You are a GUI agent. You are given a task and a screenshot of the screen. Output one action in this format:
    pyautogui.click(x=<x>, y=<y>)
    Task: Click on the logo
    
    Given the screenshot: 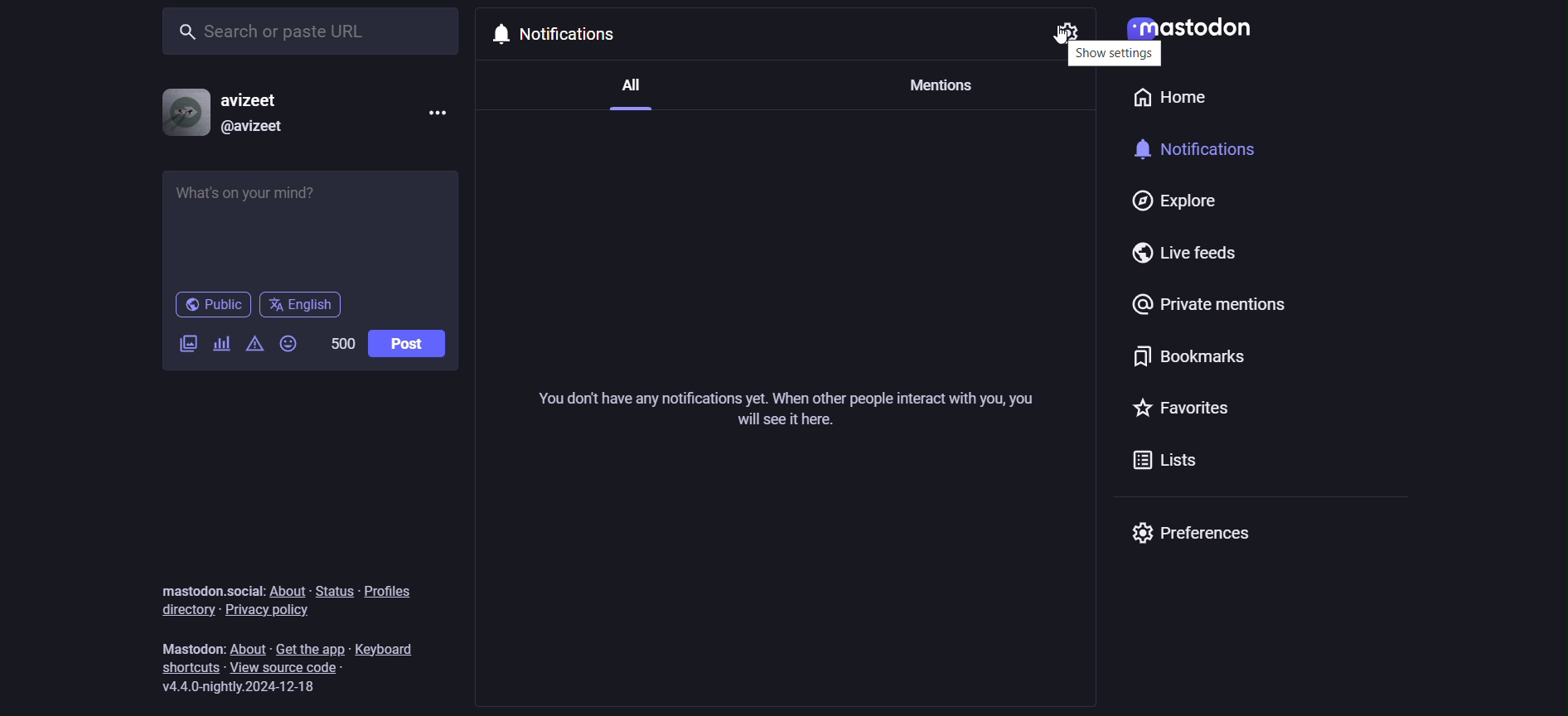 What is the action you would take?
    pyautogui.click(x=1187, y=31)
    